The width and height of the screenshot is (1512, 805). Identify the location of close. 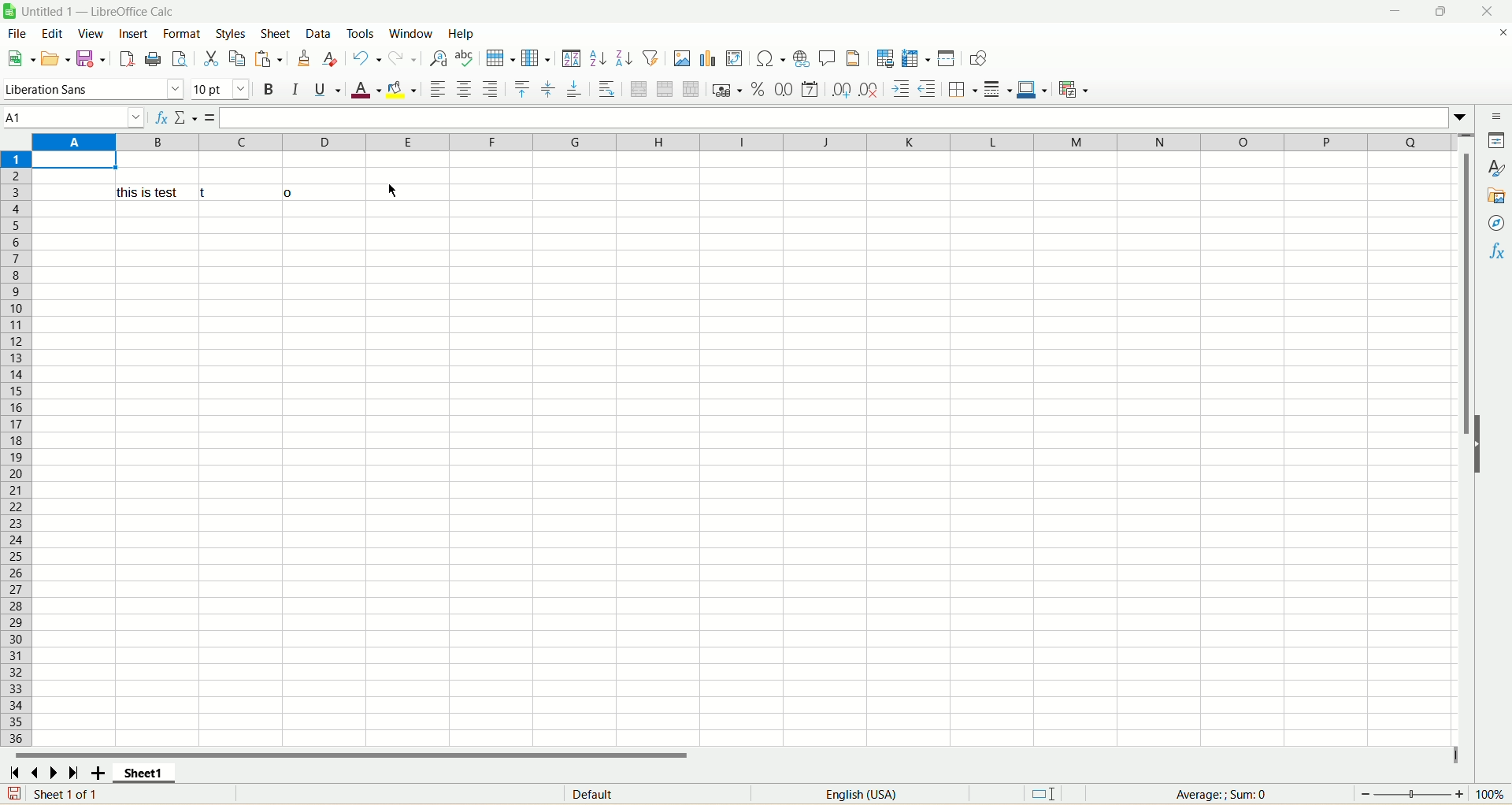
(1495, 35).